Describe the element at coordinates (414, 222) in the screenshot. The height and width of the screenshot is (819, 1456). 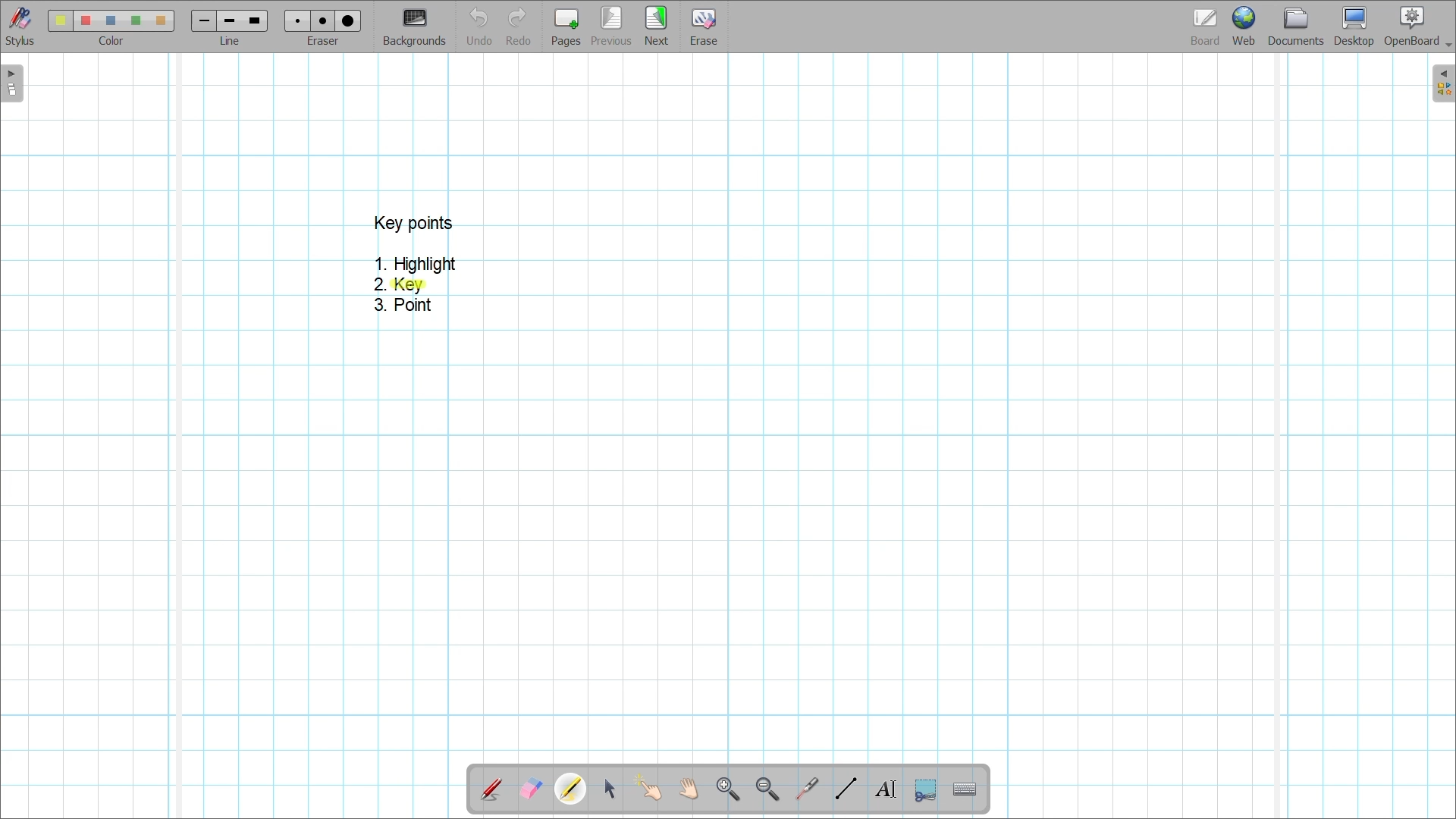
I see `key points` at that location.